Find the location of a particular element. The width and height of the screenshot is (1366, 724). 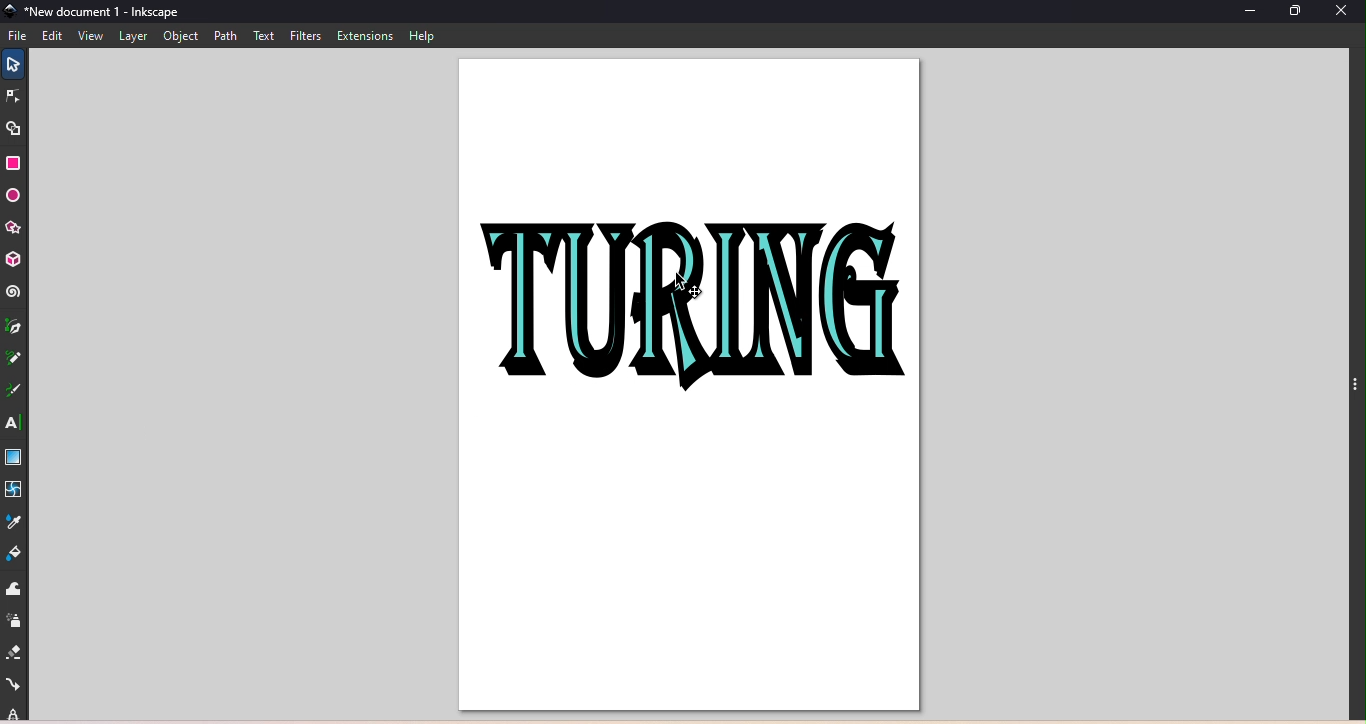

Layer is located at coordinates (135, 38).